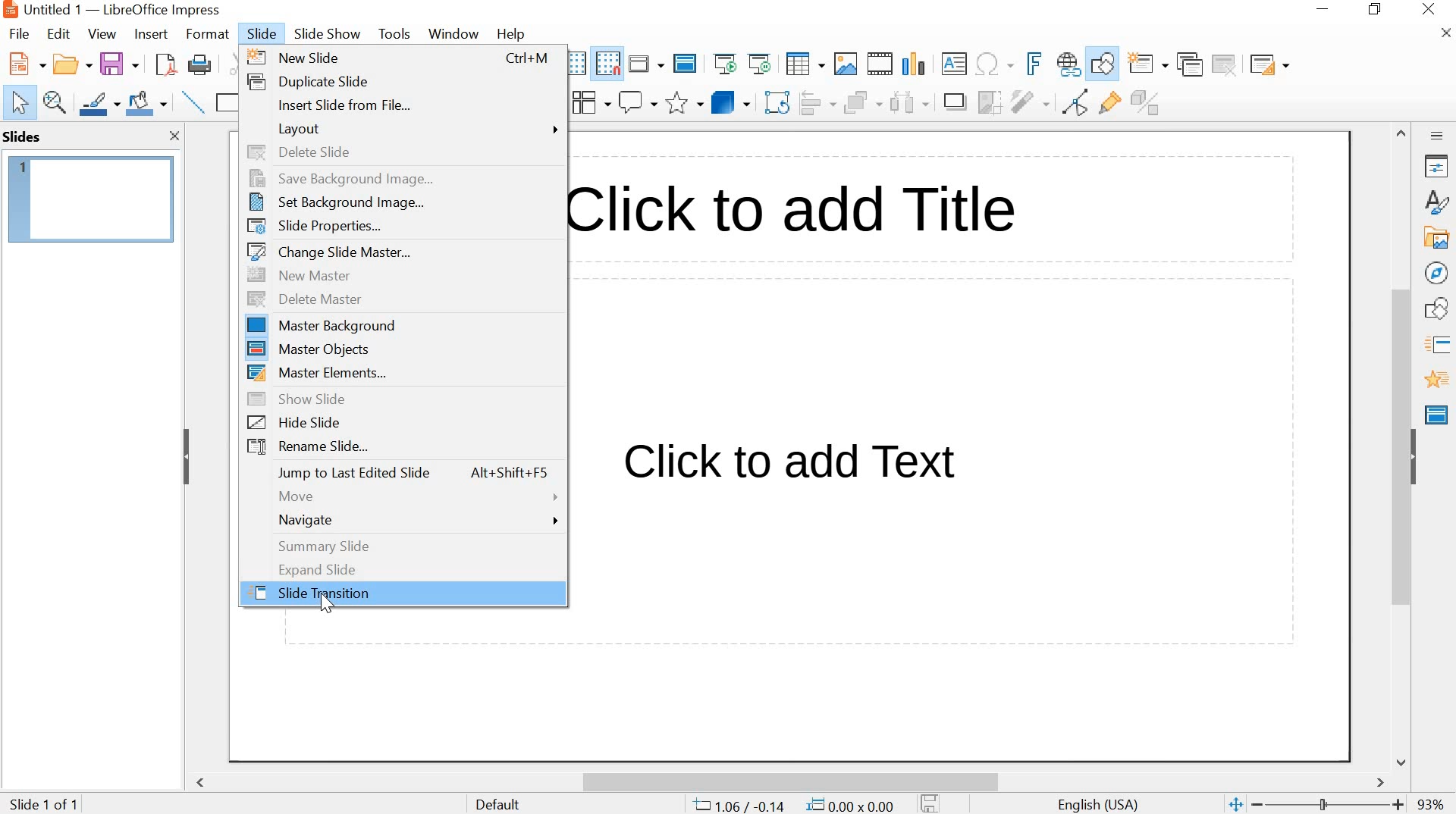 This screenshot has width=1456, height=814. What do you see at coordinates (55, 103) in the screenshot?
I see `Zoom & Pan` at bounding box center [55, 103].